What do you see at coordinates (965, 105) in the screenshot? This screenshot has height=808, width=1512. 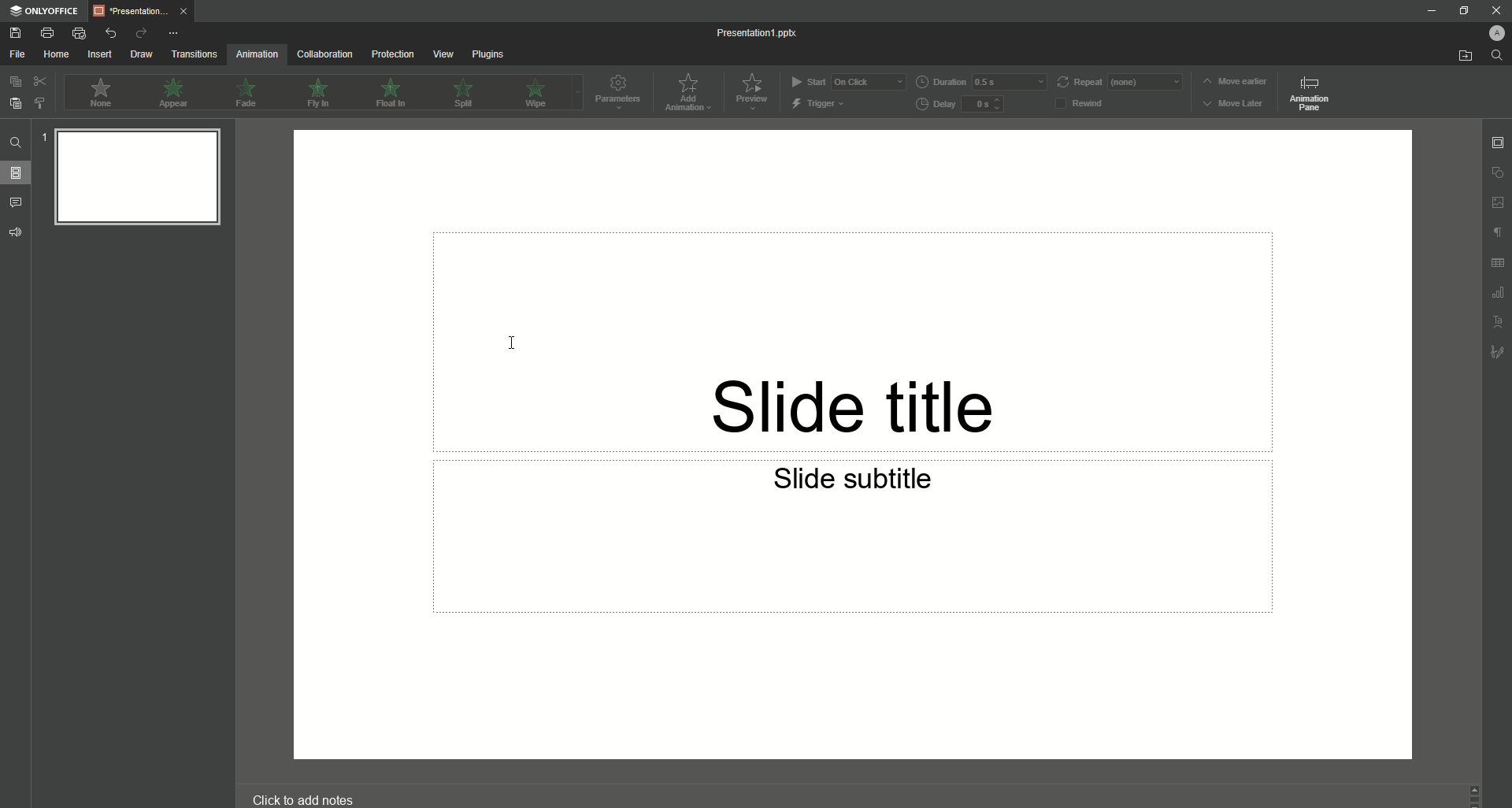 I see `Delay` at bounding box center [965, 105].